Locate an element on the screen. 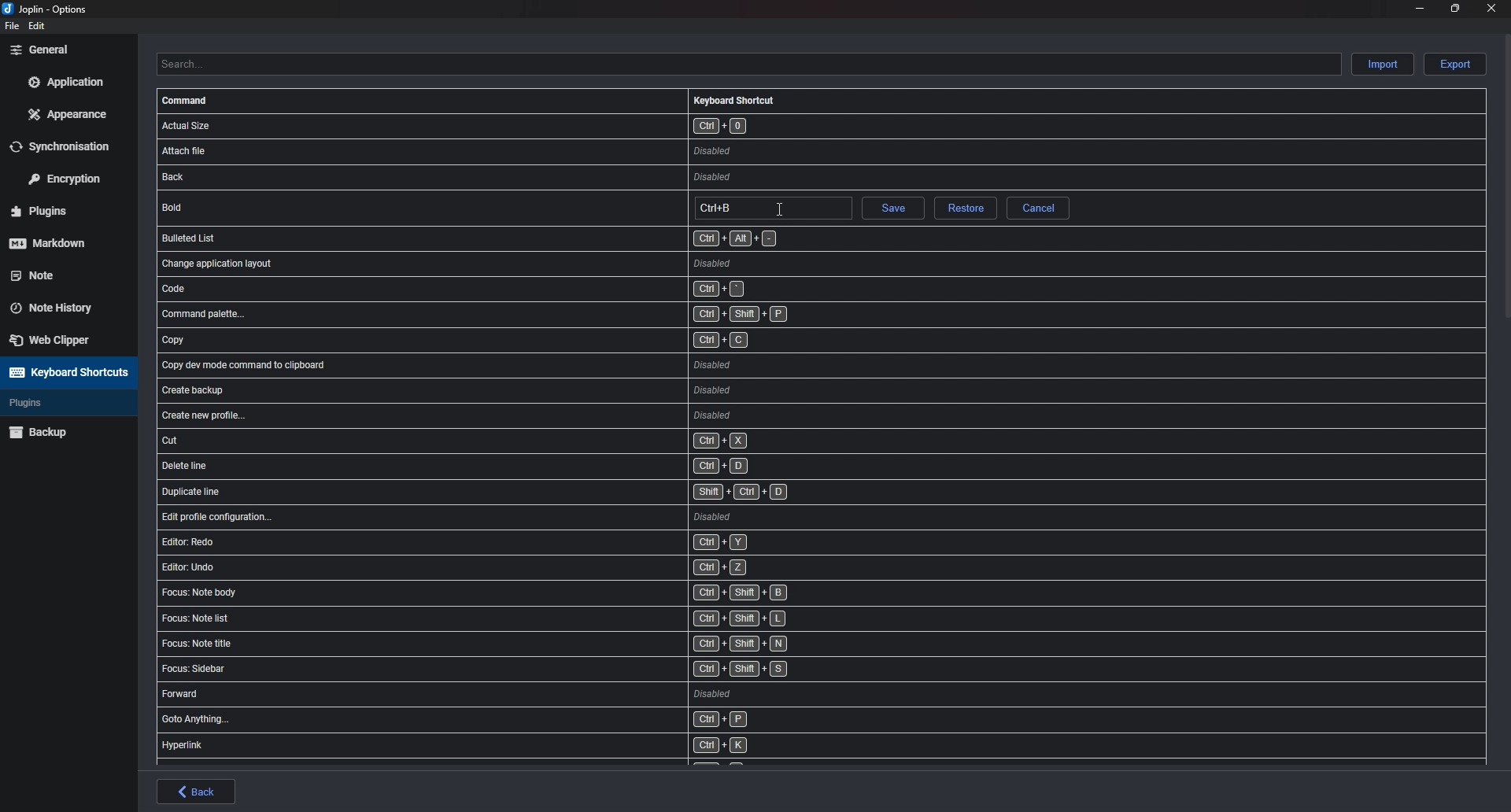  shortcut is located at coordinates (538, 491).